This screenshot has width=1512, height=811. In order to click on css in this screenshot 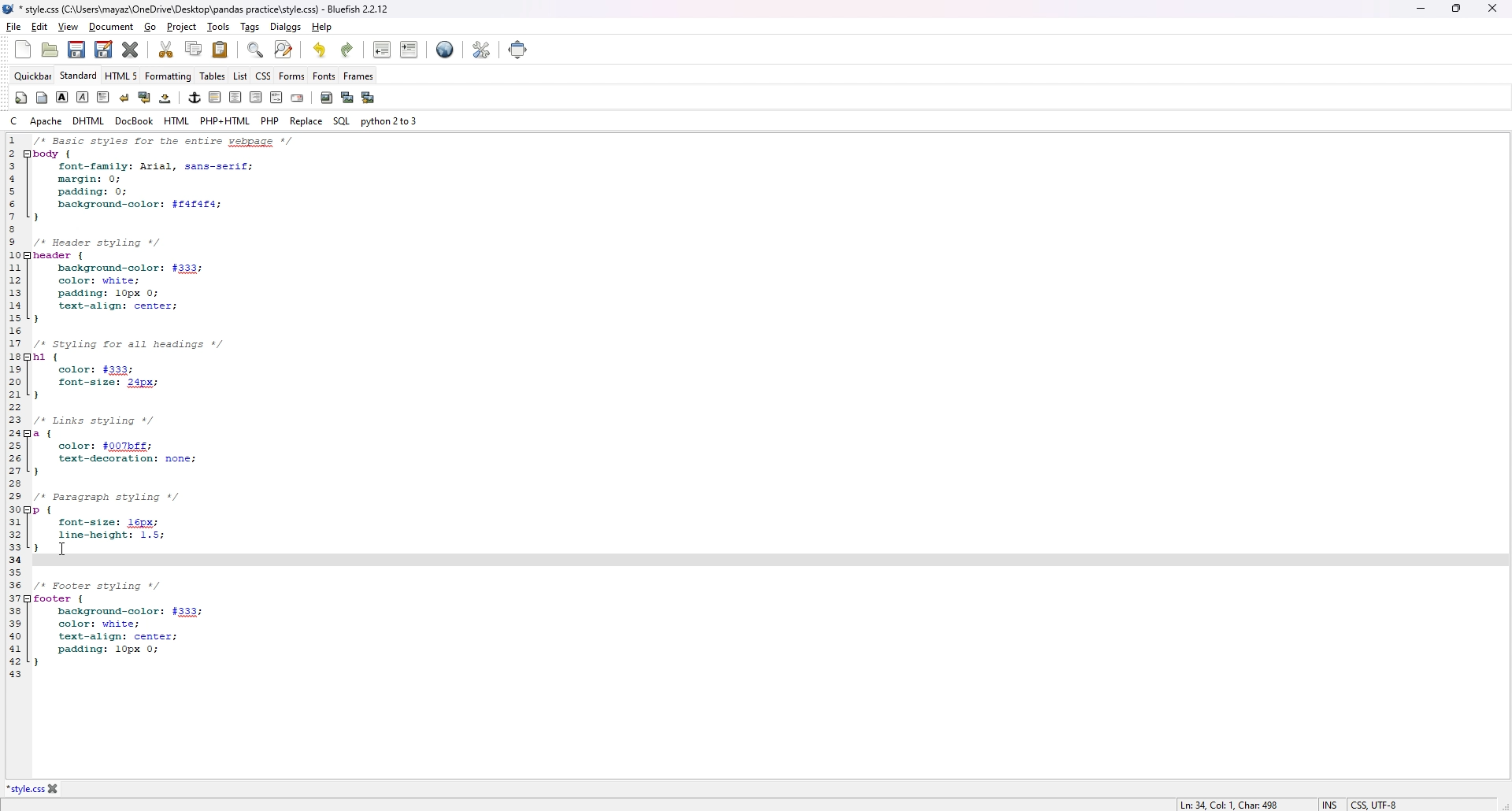, I will do `click(265, 76)`.